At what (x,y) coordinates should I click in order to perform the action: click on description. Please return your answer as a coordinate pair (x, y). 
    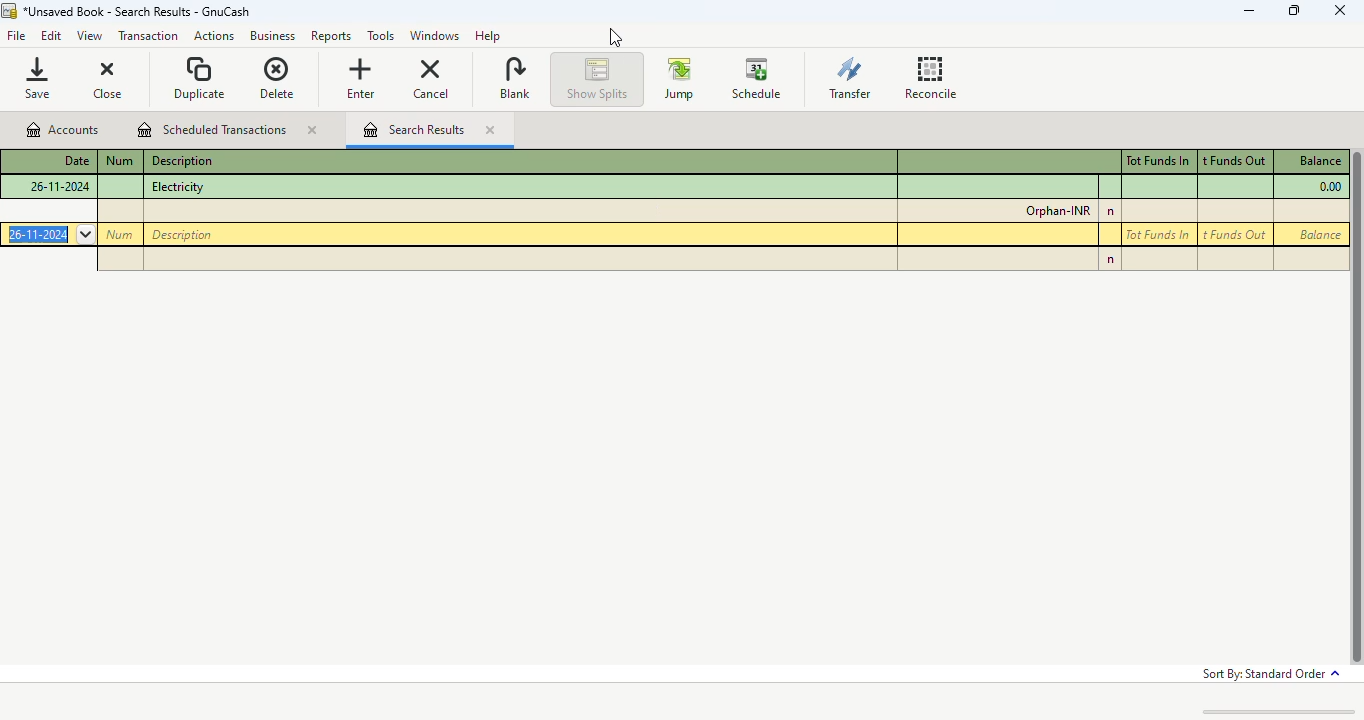
    Looking at the image, I should click on (182, 161).